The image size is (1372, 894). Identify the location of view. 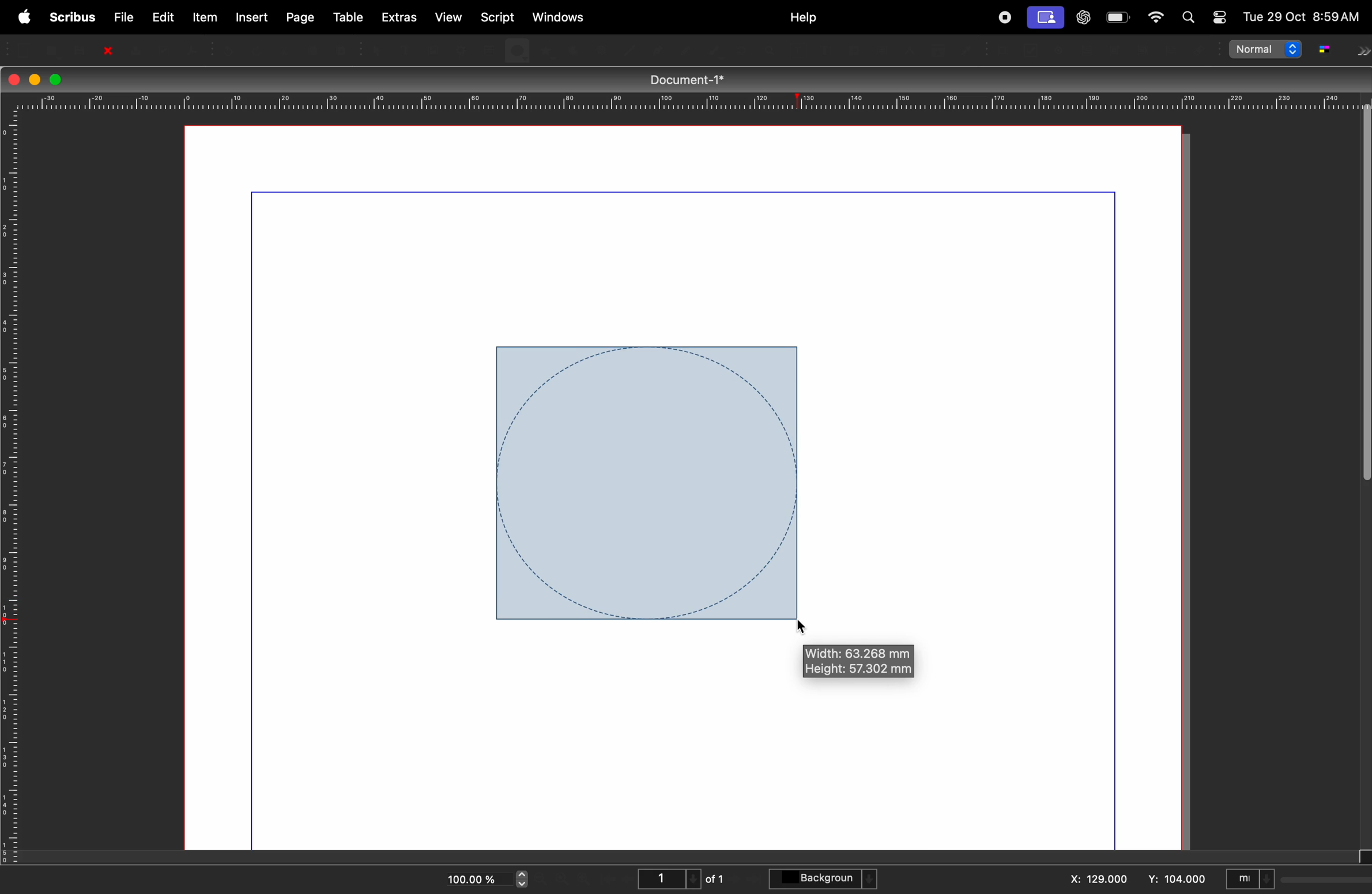
(451, 18).